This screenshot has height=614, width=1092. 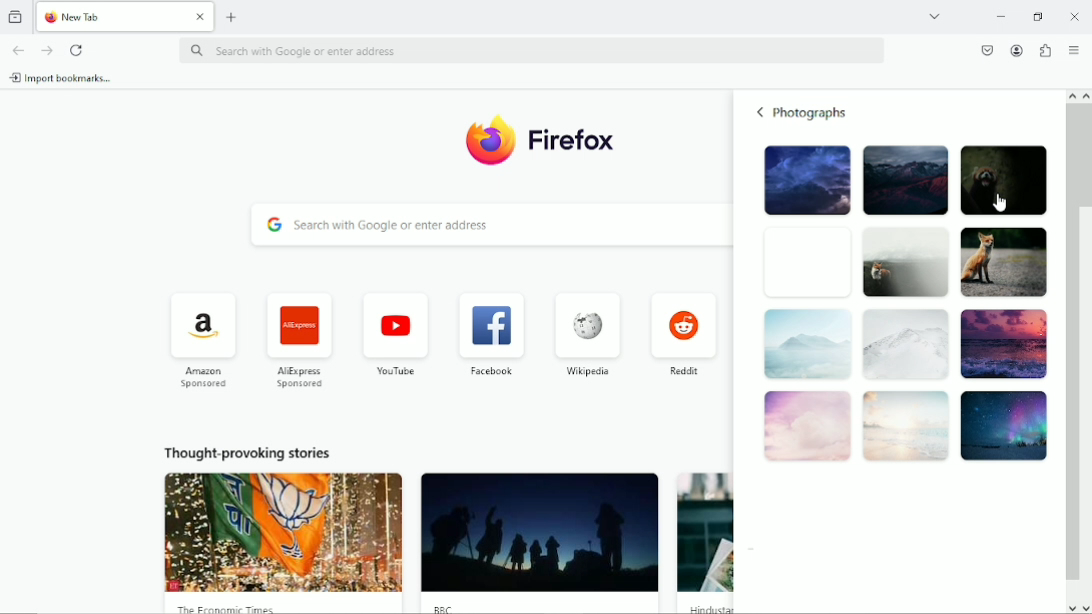 What do you see at coordinates (296, 340) in the screenshot?
I see `AliExpress` at bounding box center [296, 340].